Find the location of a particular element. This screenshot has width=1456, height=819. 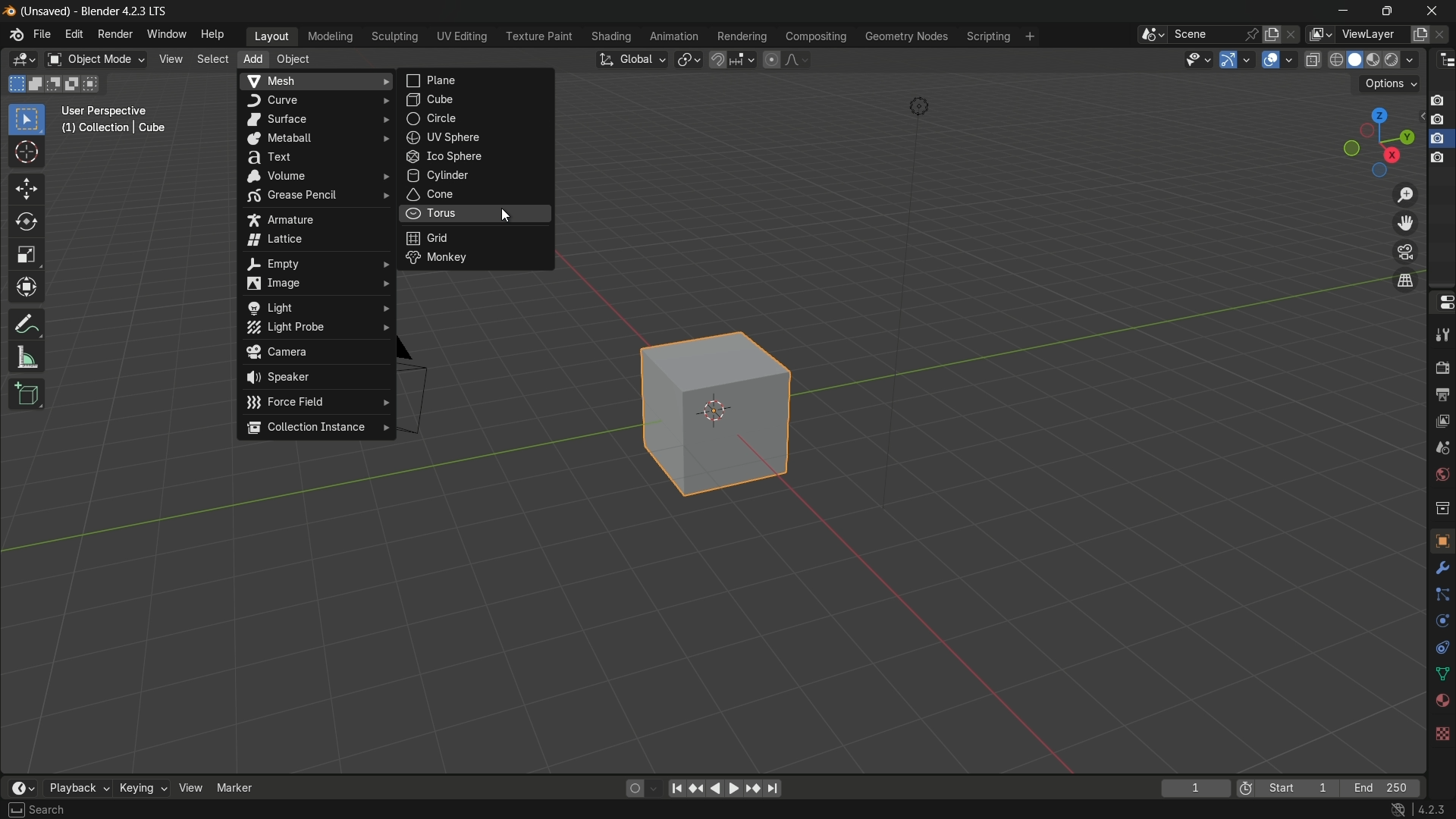

grid is located at coordinates (477, 238).